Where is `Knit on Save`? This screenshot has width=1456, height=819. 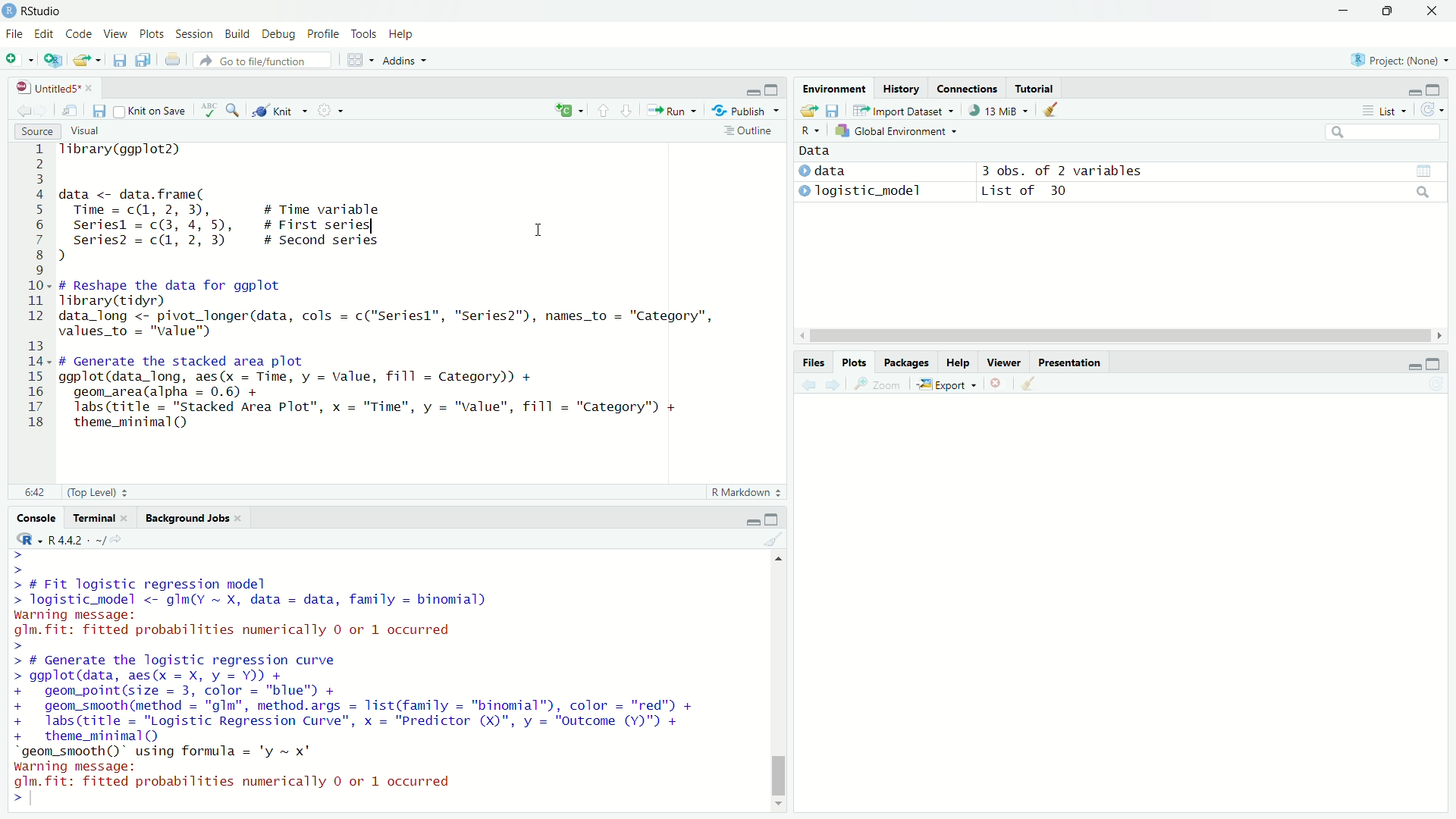
Knit on Save is located at coordinates (152, 111).